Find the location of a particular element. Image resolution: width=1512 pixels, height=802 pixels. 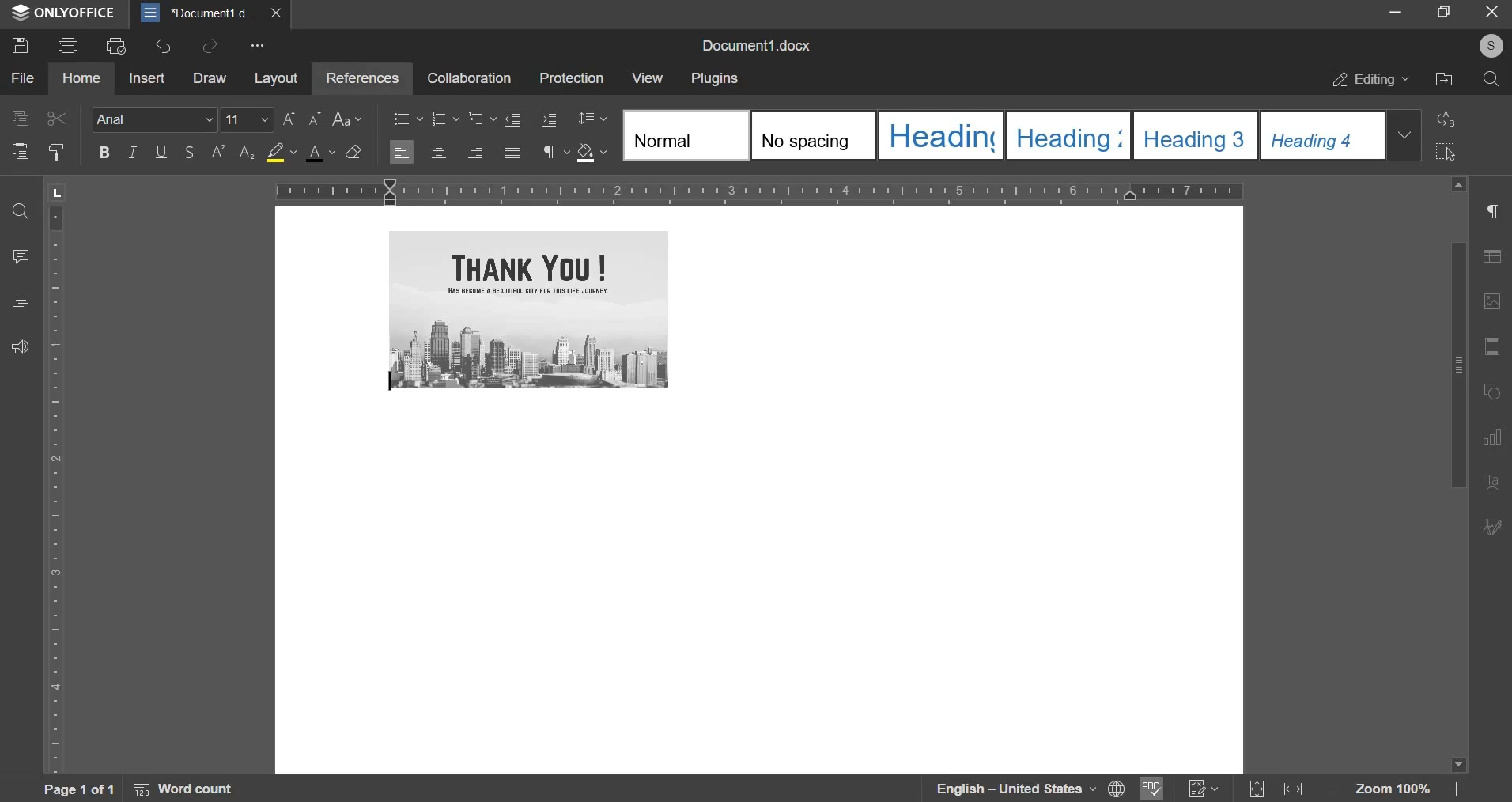

insert is located at coordinates (149, 77).